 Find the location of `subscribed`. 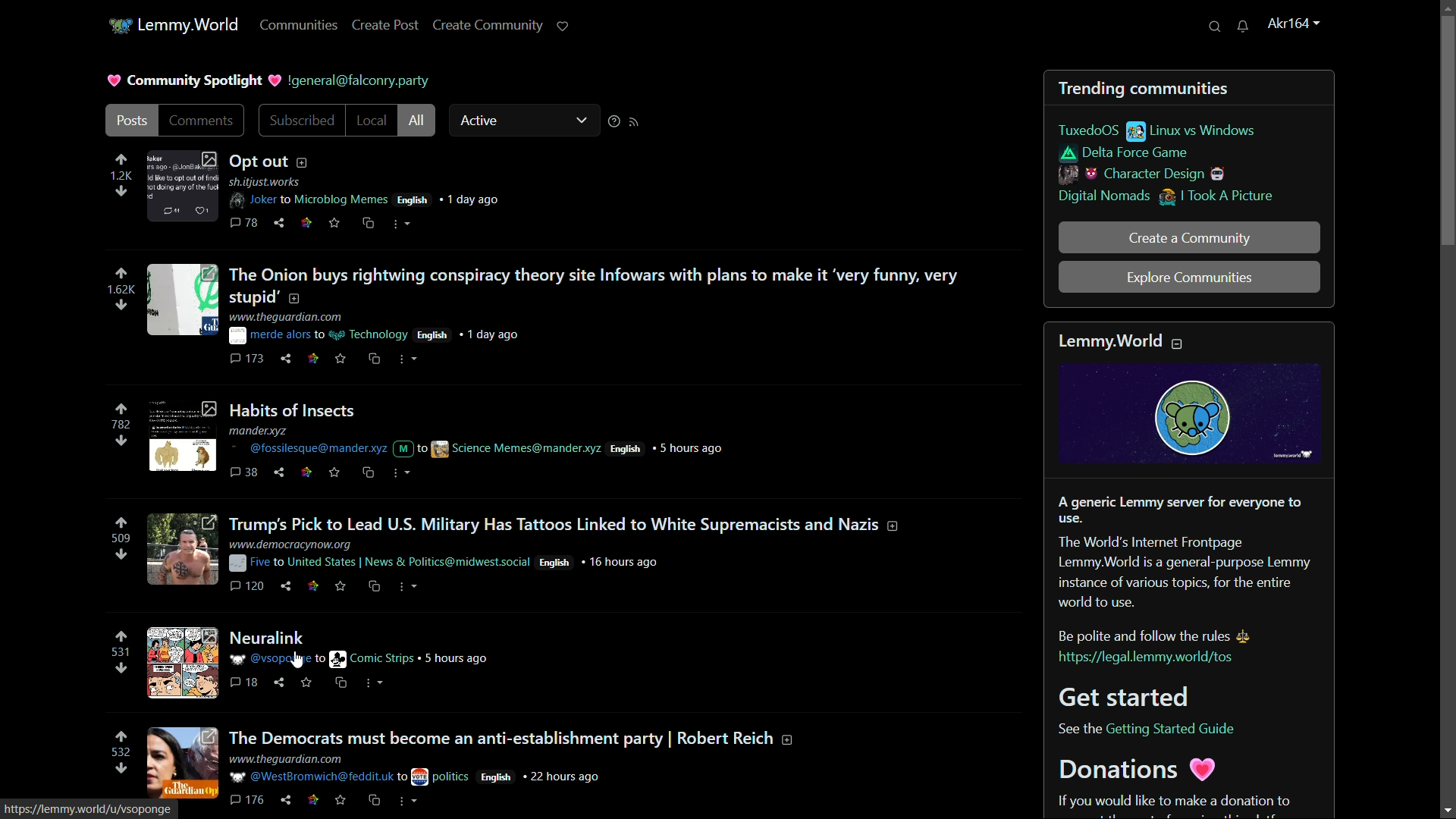

subscribed is located at coordinates (302, 121).